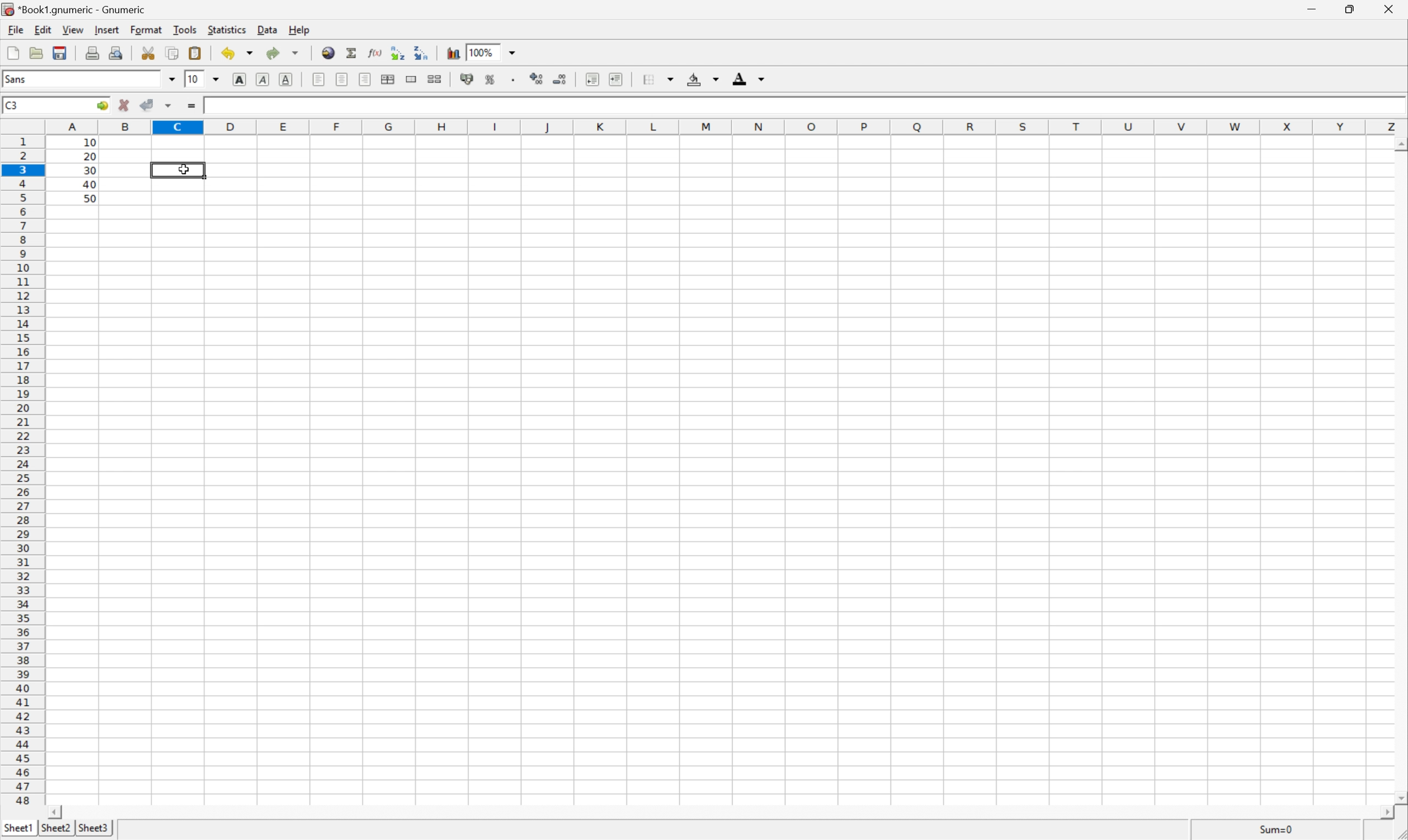  I want to click on Minimize, so click(1313, 10).